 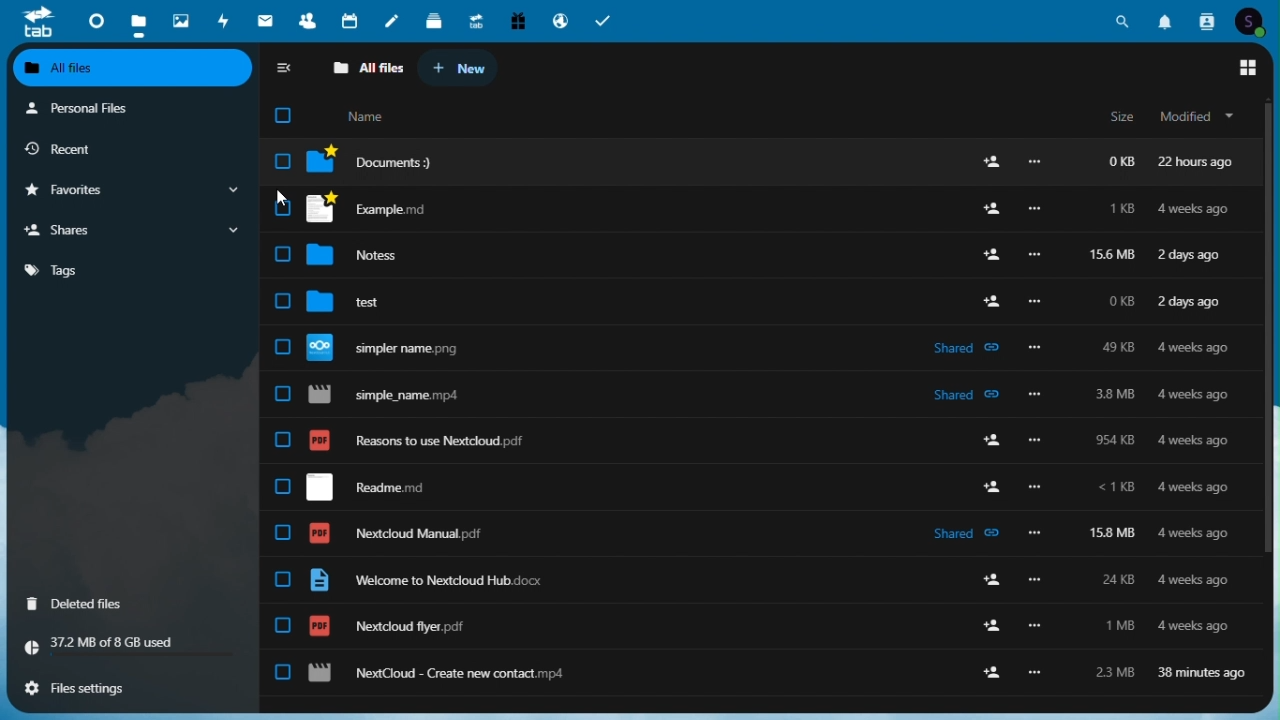 What do you see at coordinates (516, 20) in the screenshot?
I see `Free trial` at bounding box center [516, 20].